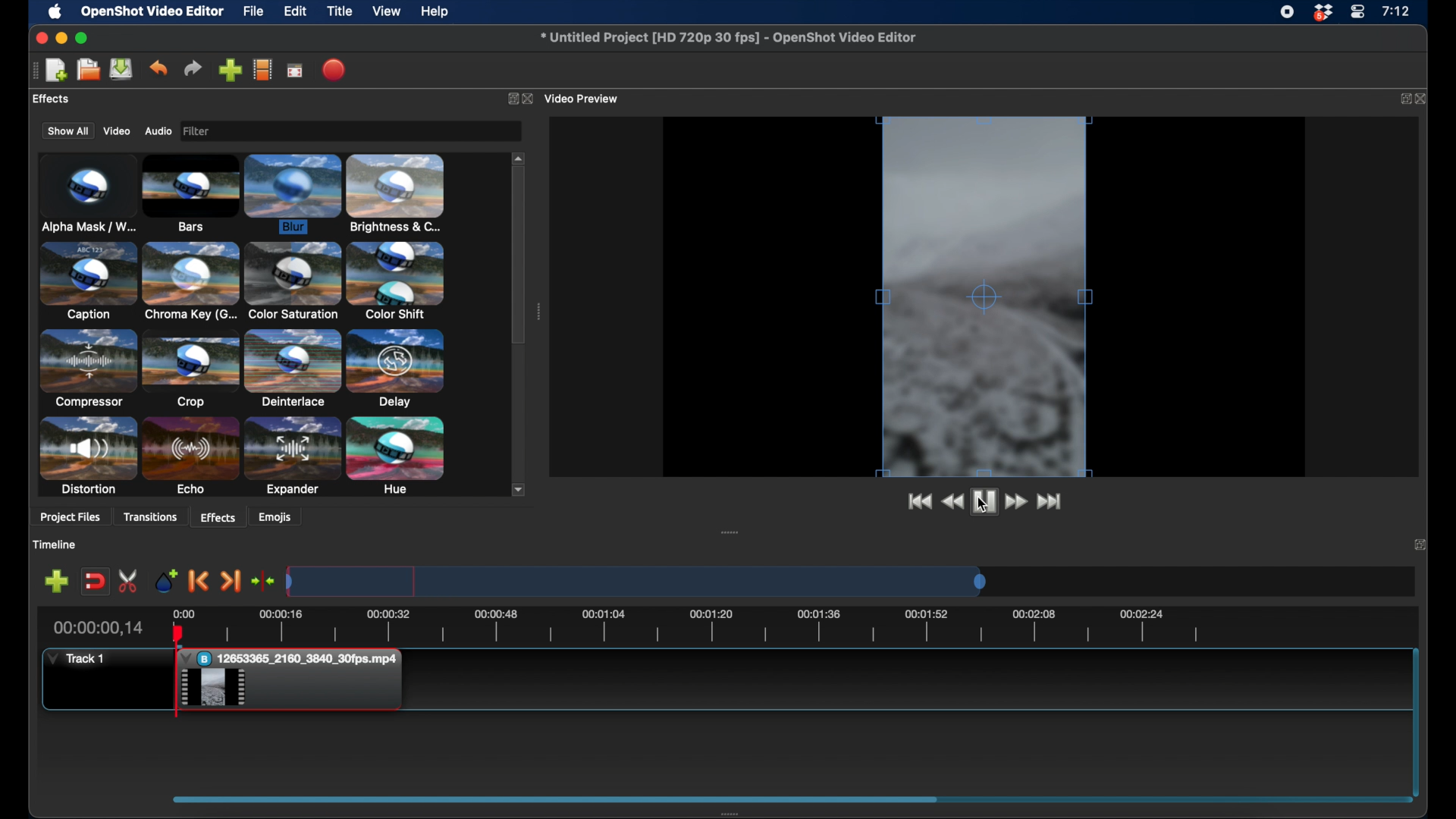 This screenshot has width=1456, height=819. Describe the element at coordinates (150, 517) in the screenshot. I see `transitions` at that location.